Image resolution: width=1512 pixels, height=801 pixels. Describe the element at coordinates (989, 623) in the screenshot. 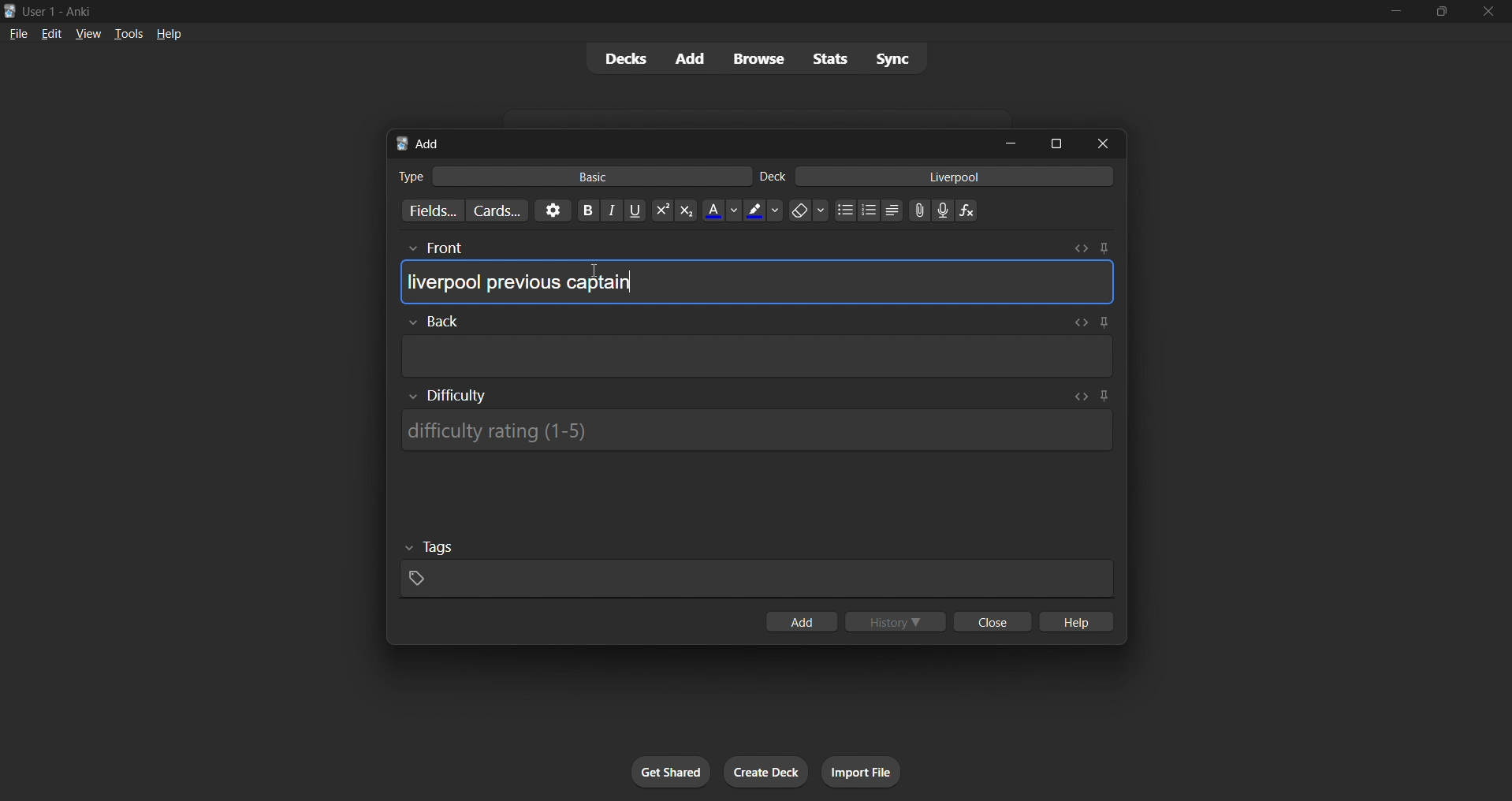

I see `close` at that location.